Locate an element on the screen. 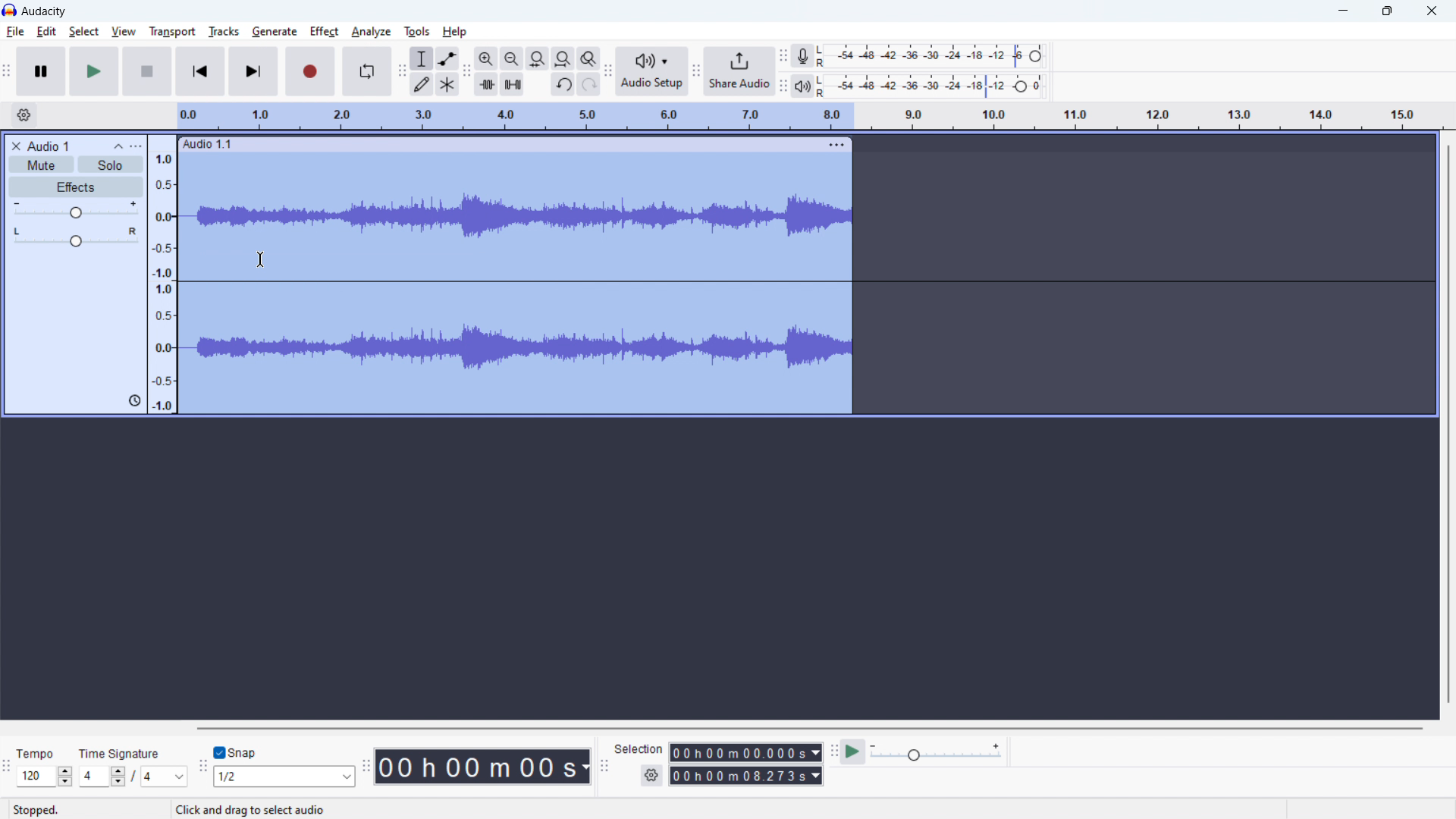  view is located at coordinates (123, 31).